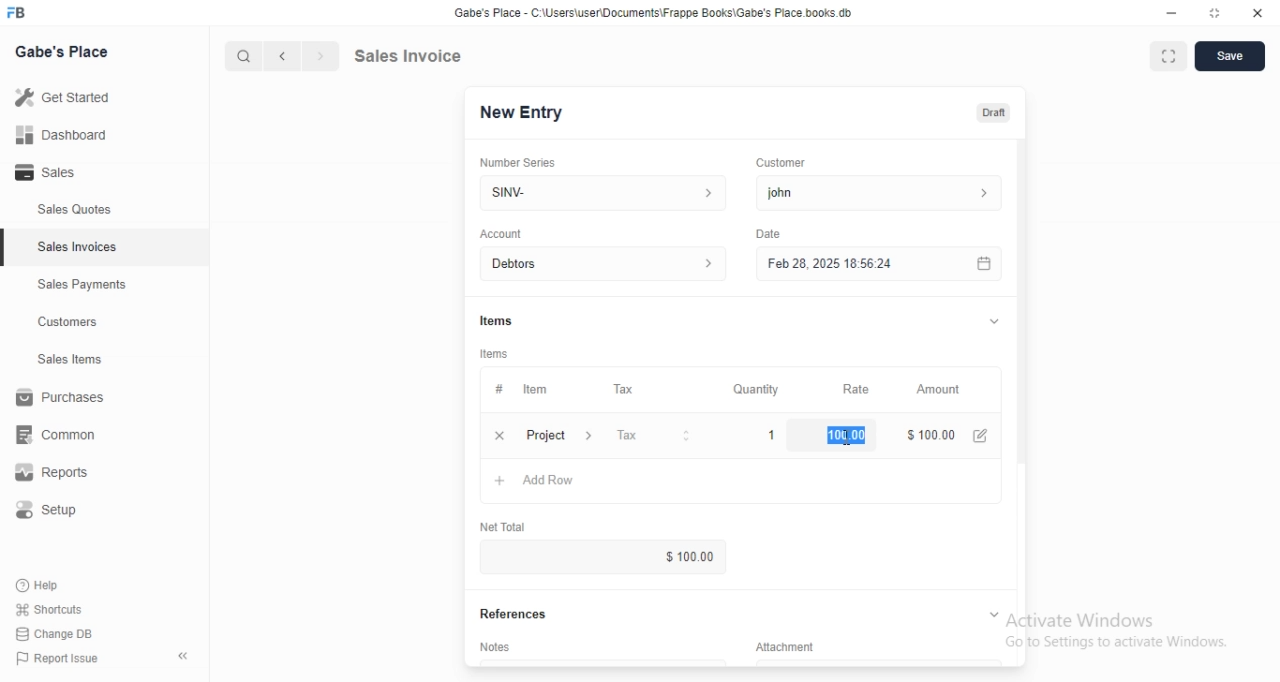 This screenshot has width=1280, height=682. Describe the element at coordinates (995, 113) in the screenshot. I see `Draft` at that location.